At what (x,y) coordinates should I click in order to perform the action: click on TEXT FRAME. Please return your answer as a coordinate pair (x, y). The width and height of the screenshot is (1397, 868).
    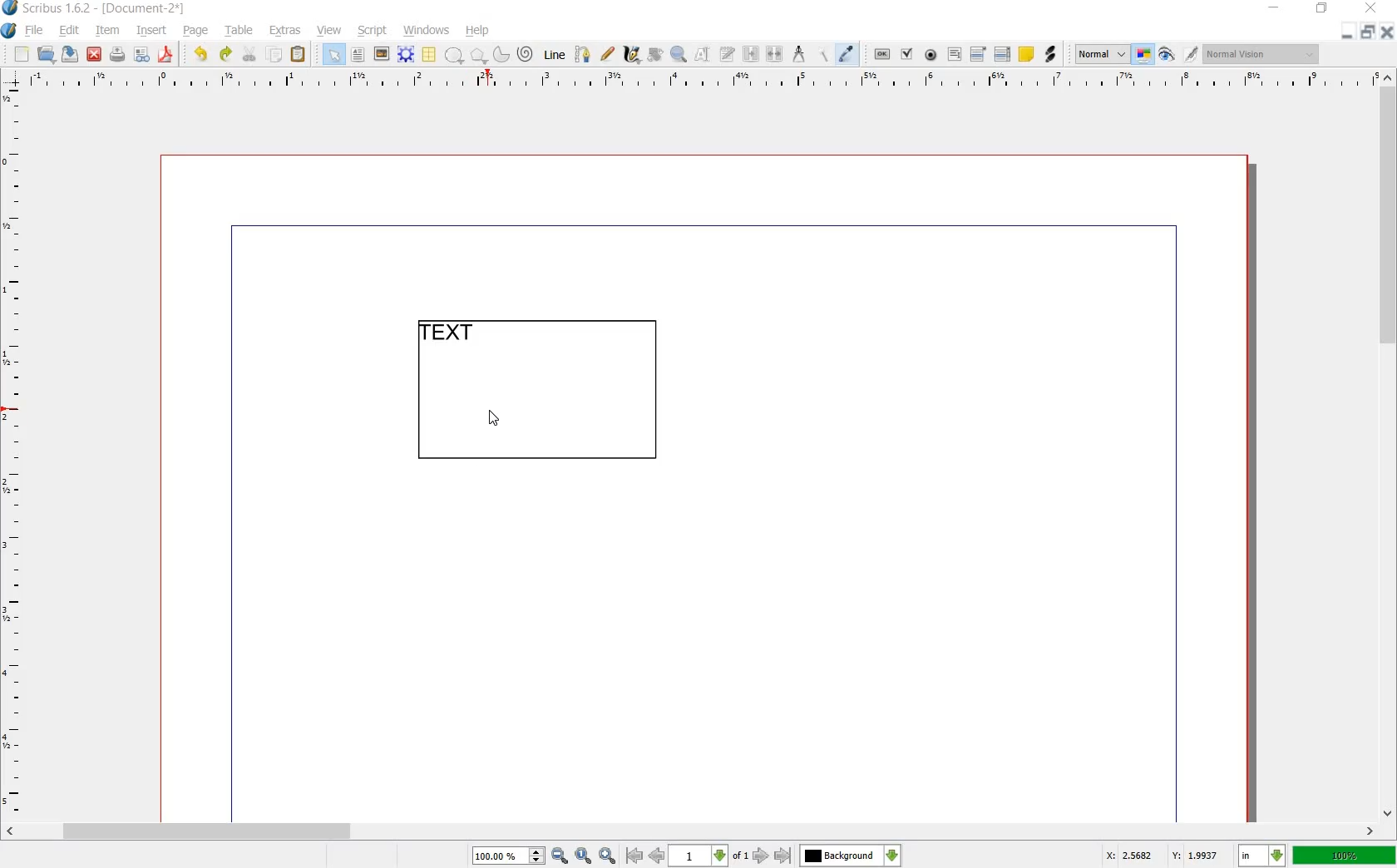
    Looking at the image, I should click on (536, 394).